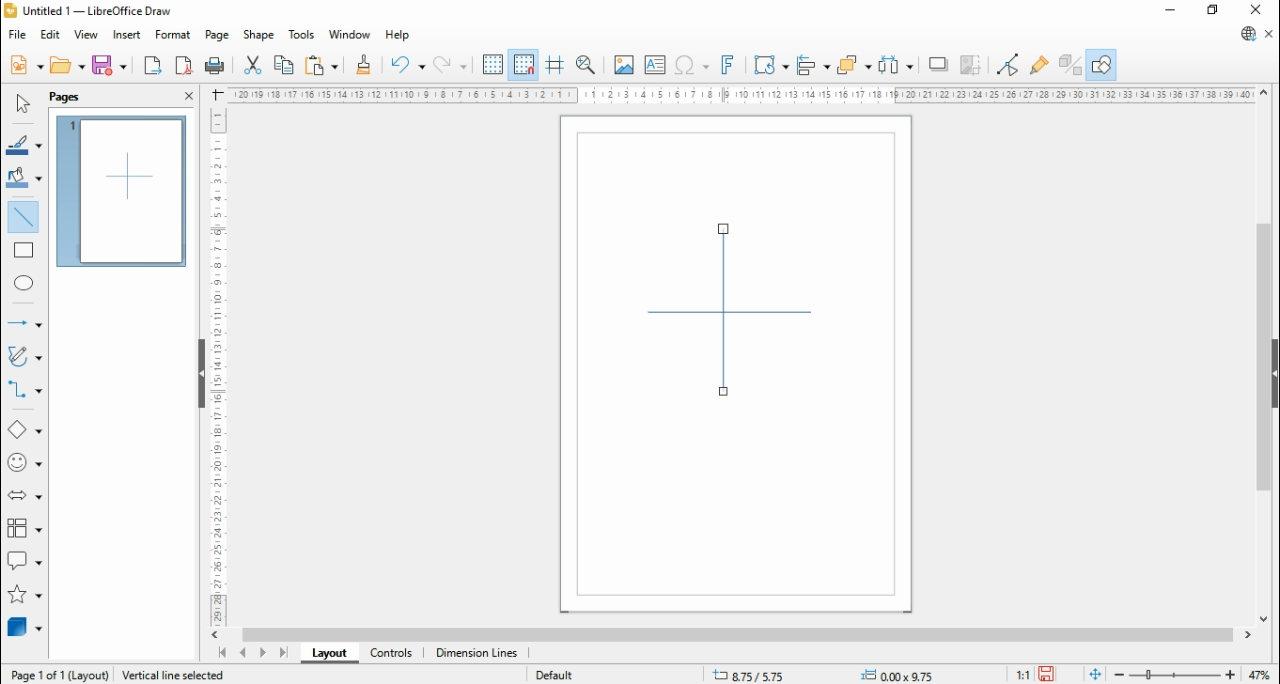  What do you see at coordinates (725, 389) in the screenshot?
I see `mouse pointer` at bounding box center [725, 389].